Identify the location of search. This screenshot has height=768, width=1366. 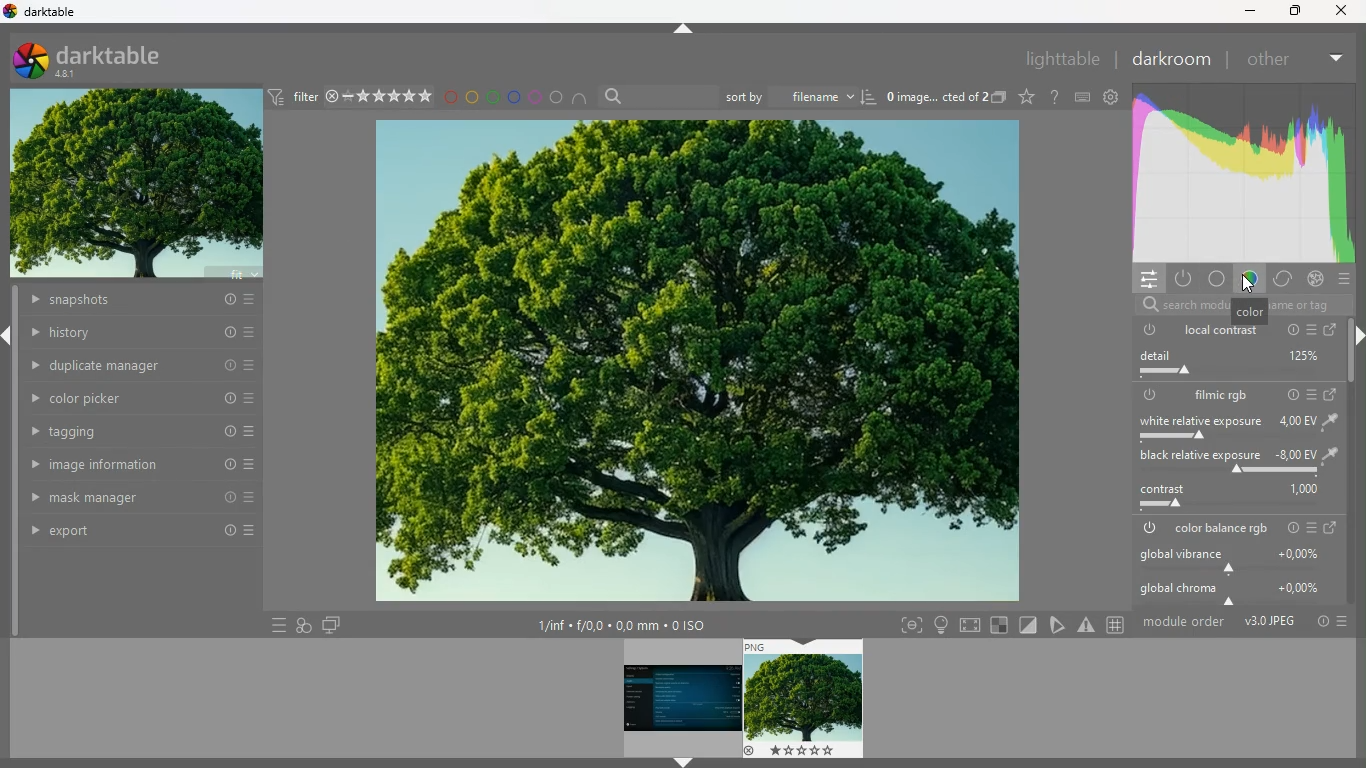
(1234, 306).